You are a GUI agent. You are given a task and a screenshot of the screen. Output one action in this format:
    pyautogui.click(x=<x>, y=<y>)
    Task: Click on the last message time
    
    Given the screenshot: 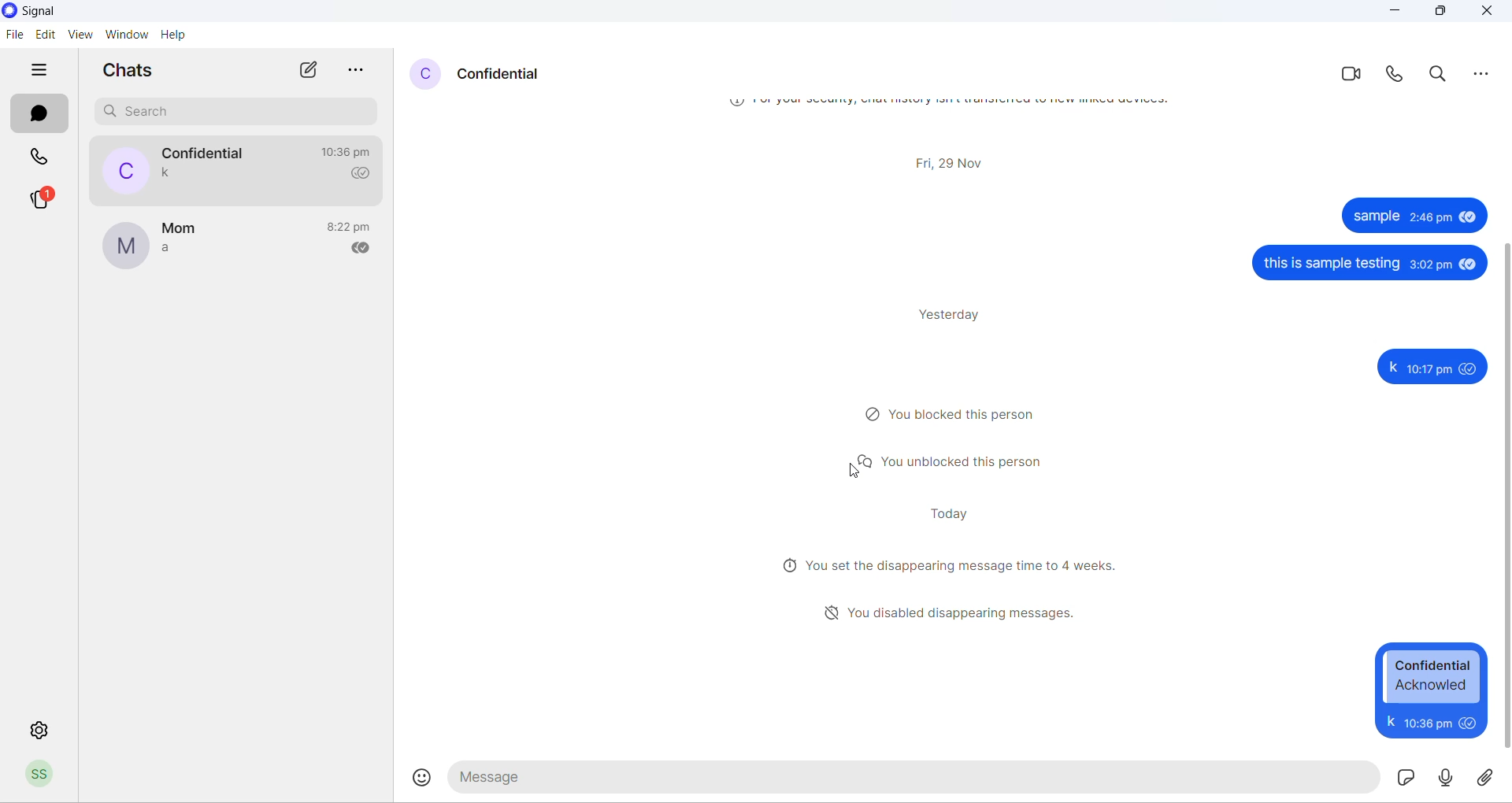 What is the action you would take?
    pyautogui.click(x=355, y=154)
    